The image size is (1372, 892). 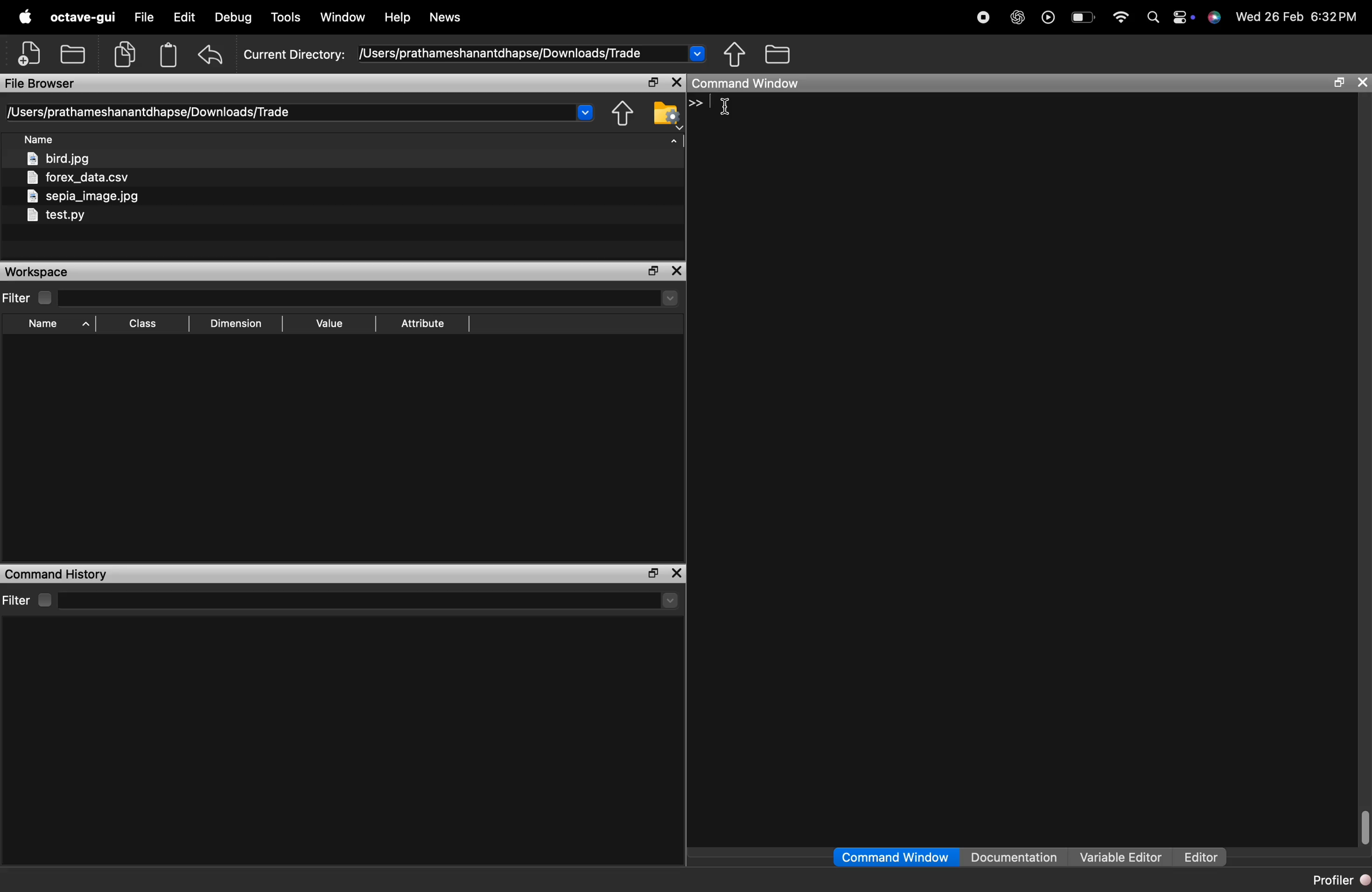 I want to click on help, so click(x=397, y=18).